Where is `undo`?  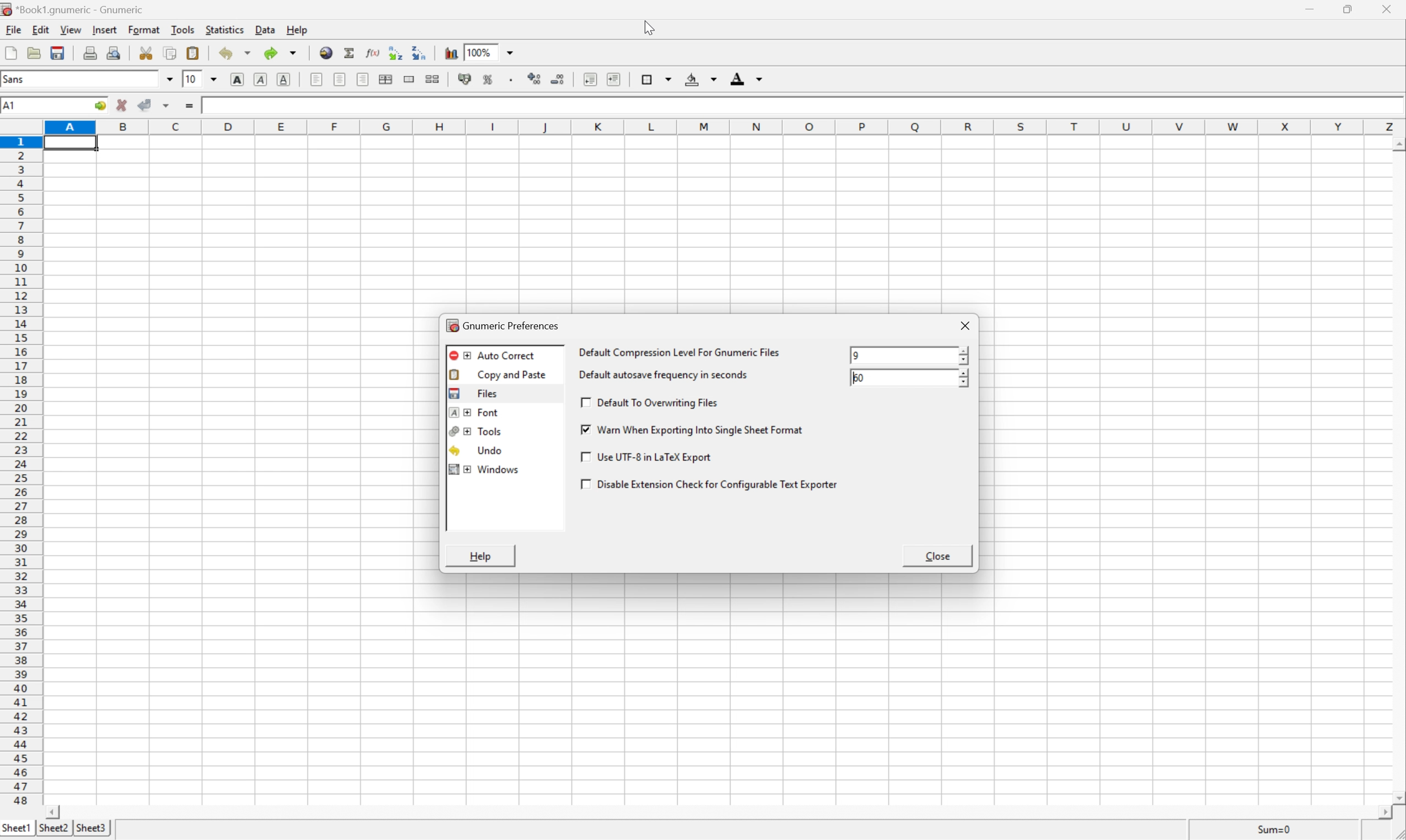 undo is located at coordinates (234, 53).